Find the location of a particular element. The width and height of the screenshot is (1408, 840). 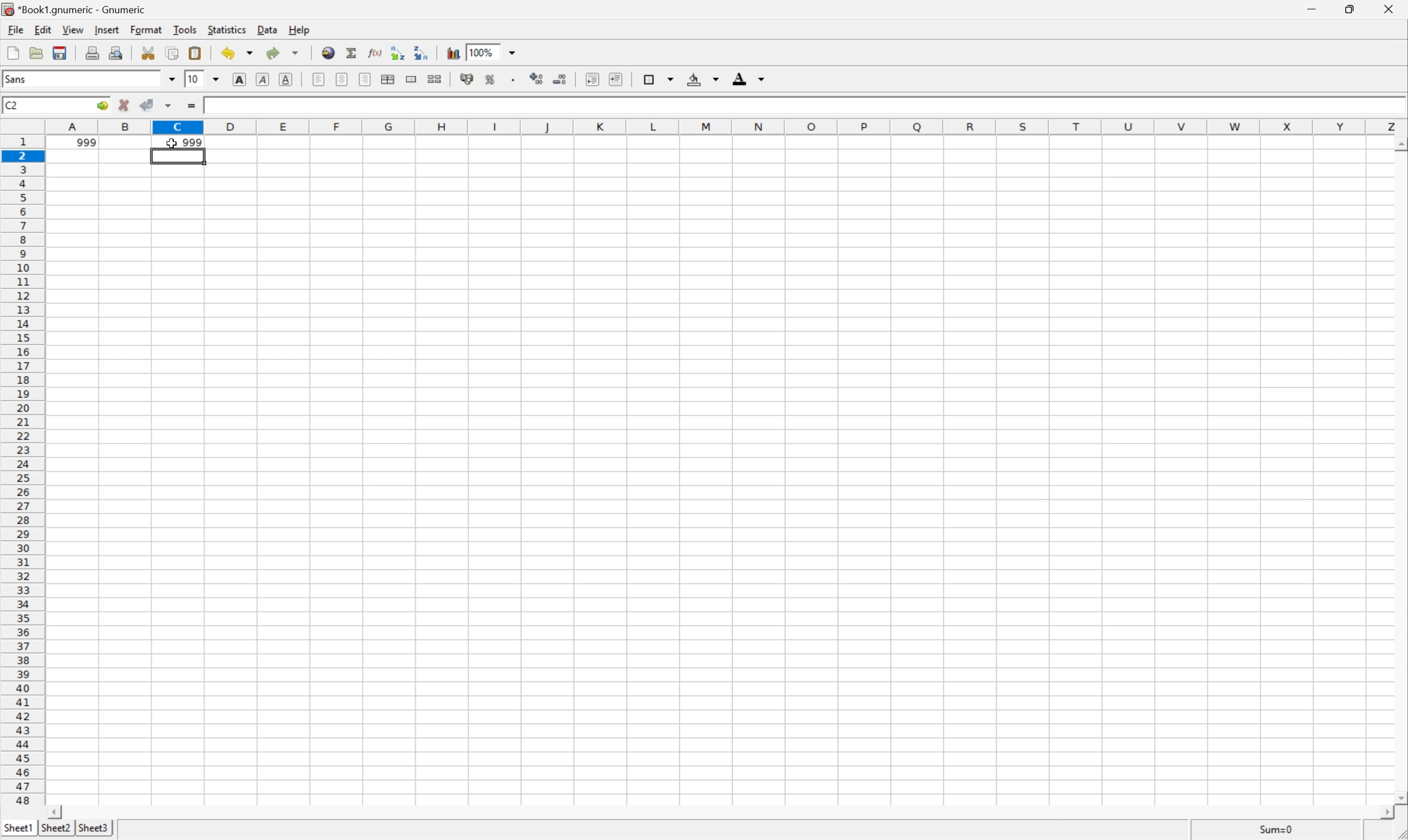

sum in current cell is located at coordinates (353, 53).